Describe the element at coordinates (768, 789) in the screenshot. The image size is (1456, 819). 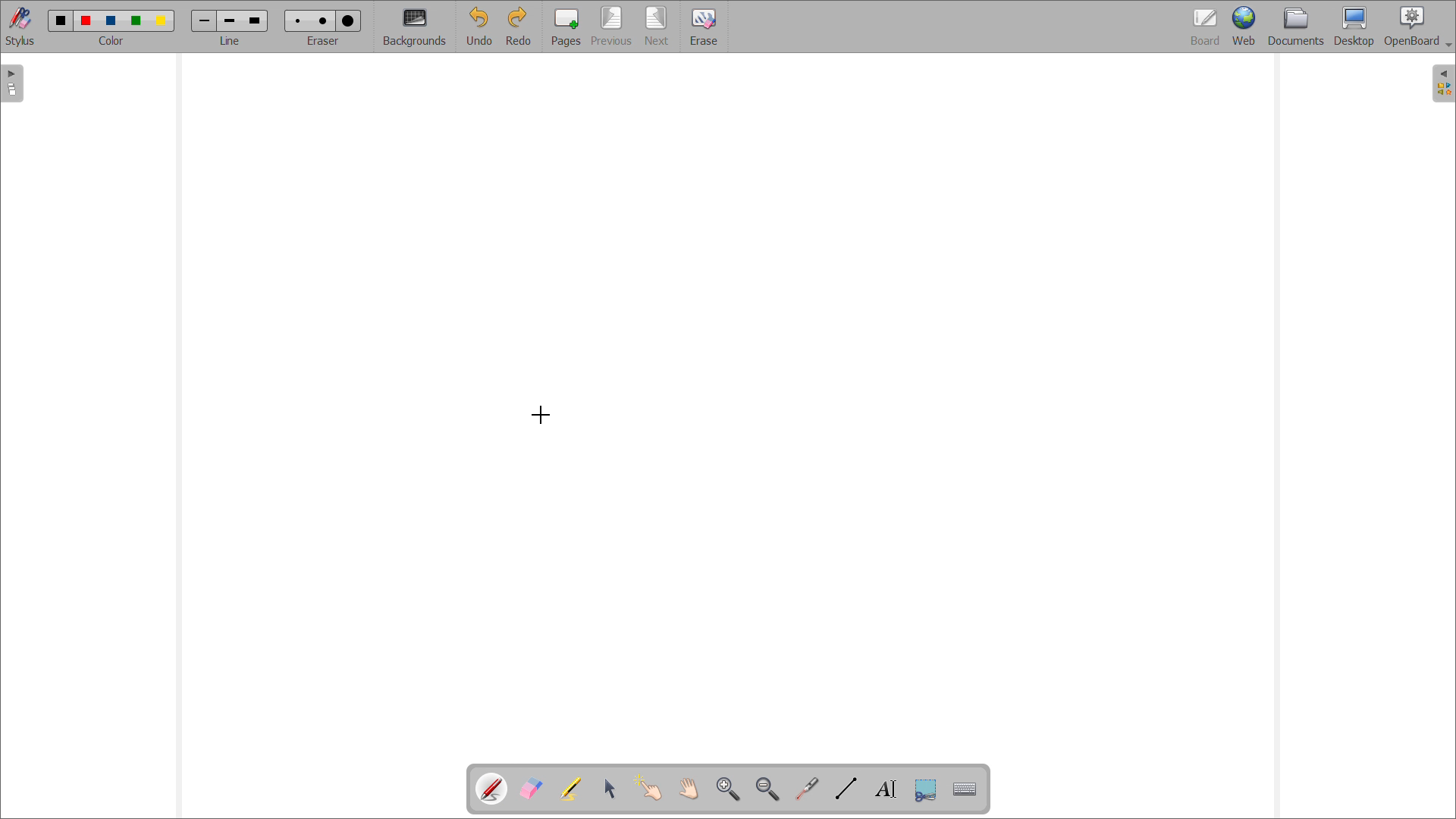
I see `zoom out` at that location.